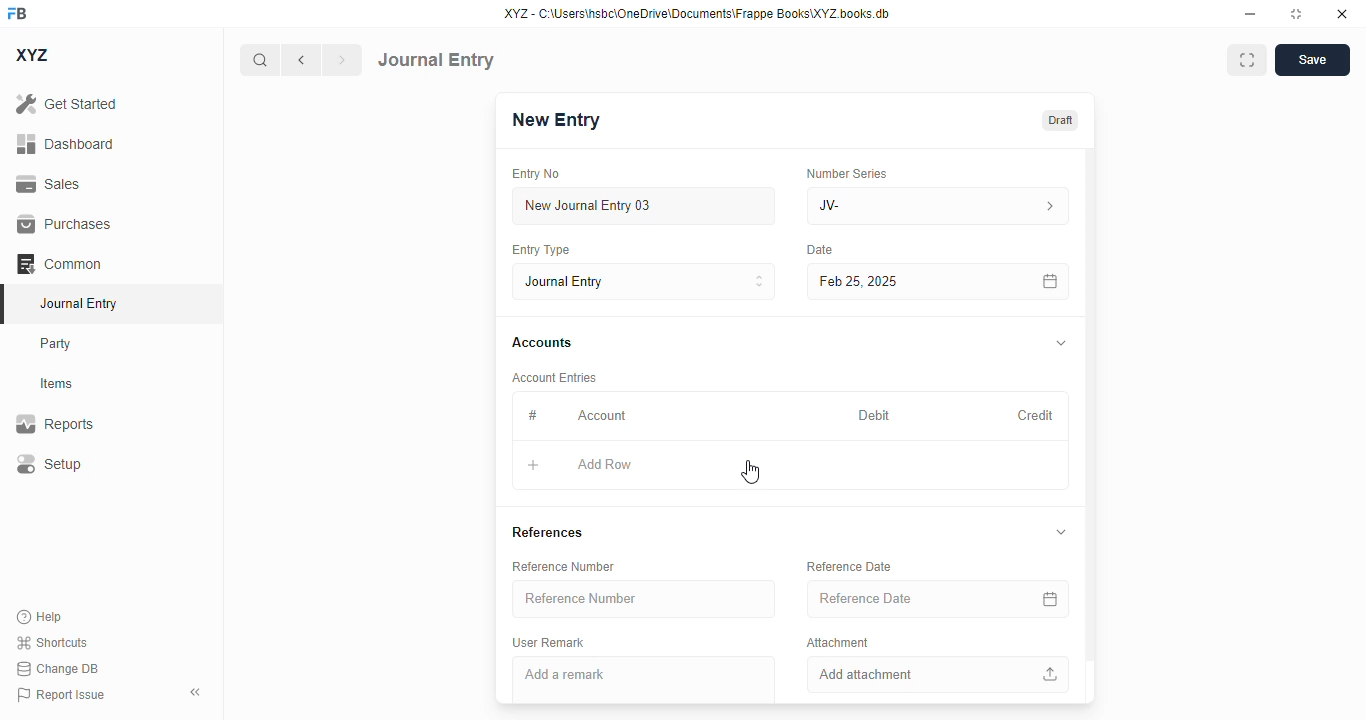 The image size is (1366, 720). I want to click on help, so click(40, 617).